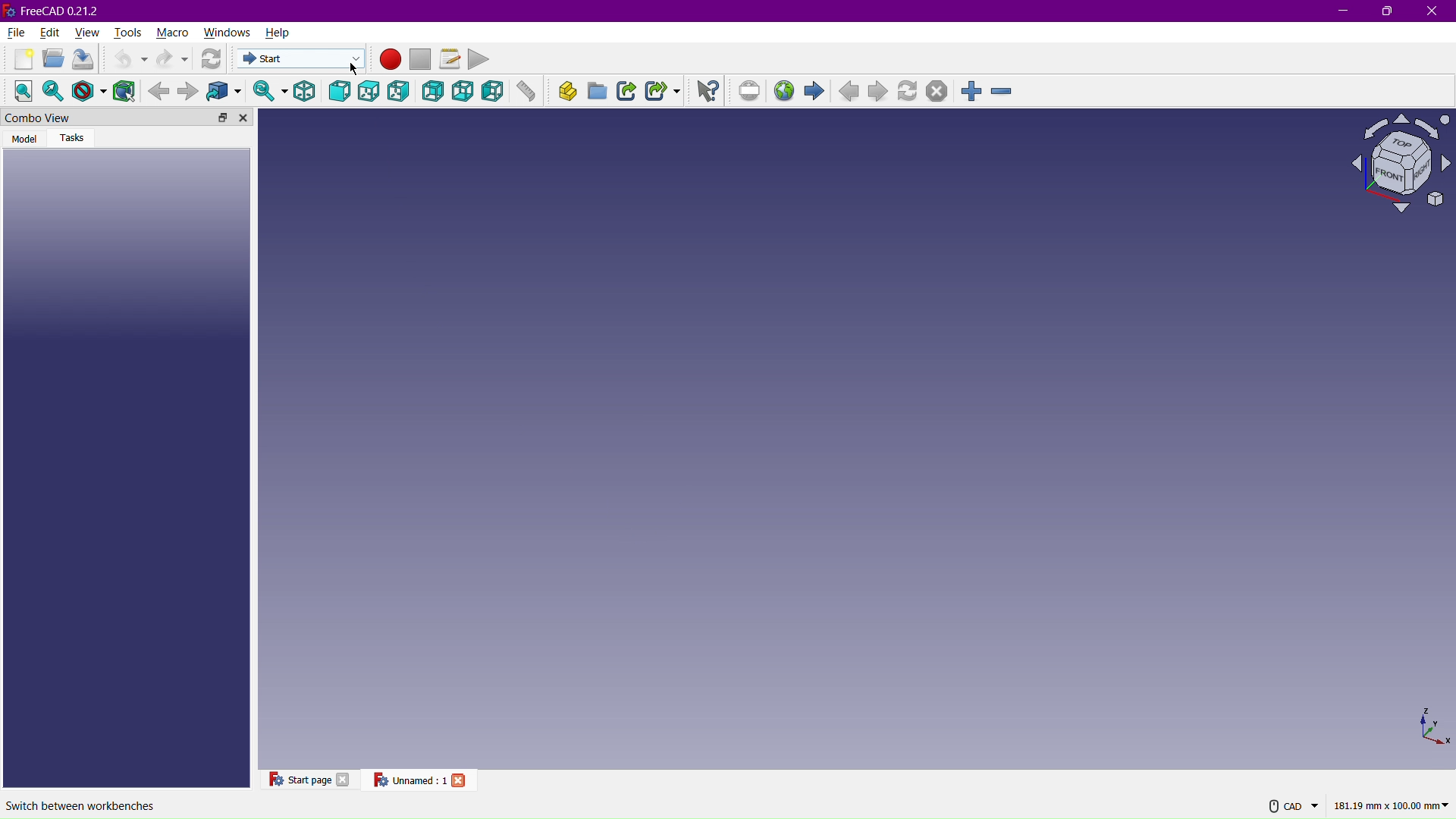 The height and width of the screenshot is (819, 1456). Describe the element at coordinates (495, 89) in the screenshot. I see `Left` at that location.